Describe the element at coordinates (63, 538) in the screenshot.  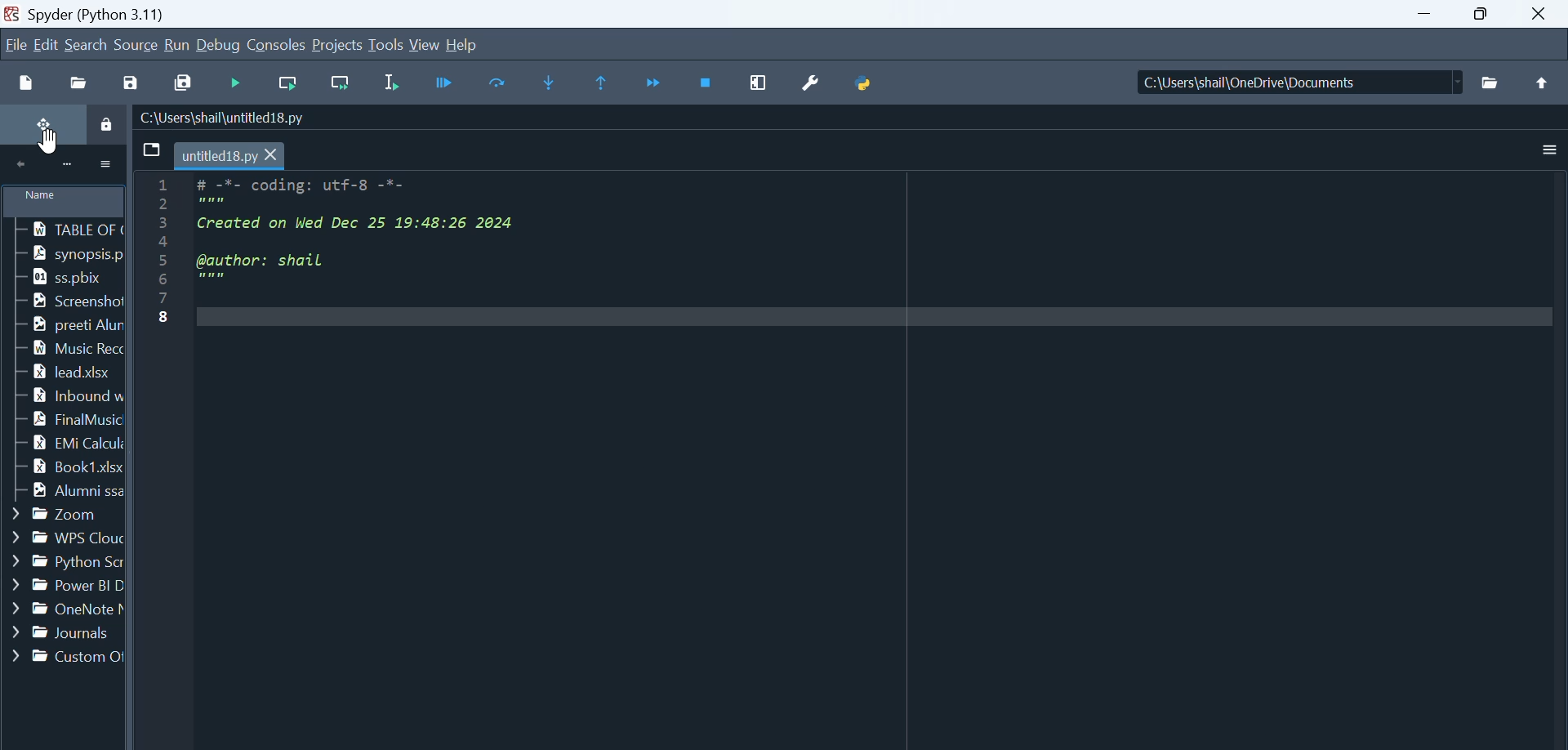
I see `WPS Clou..` at that location.